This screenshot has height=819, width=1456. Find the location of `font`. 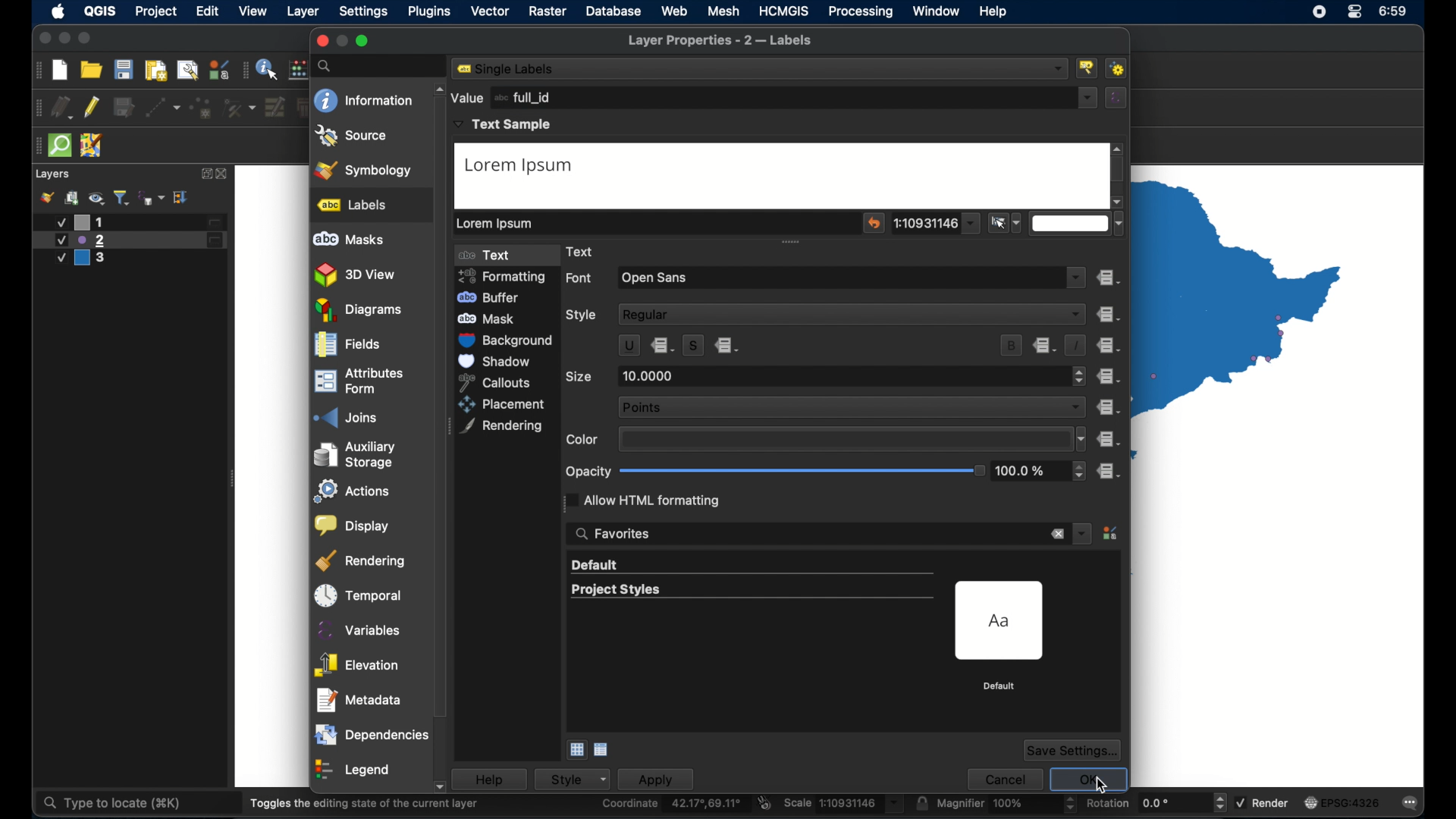

font is located at coordinates (580, 279).